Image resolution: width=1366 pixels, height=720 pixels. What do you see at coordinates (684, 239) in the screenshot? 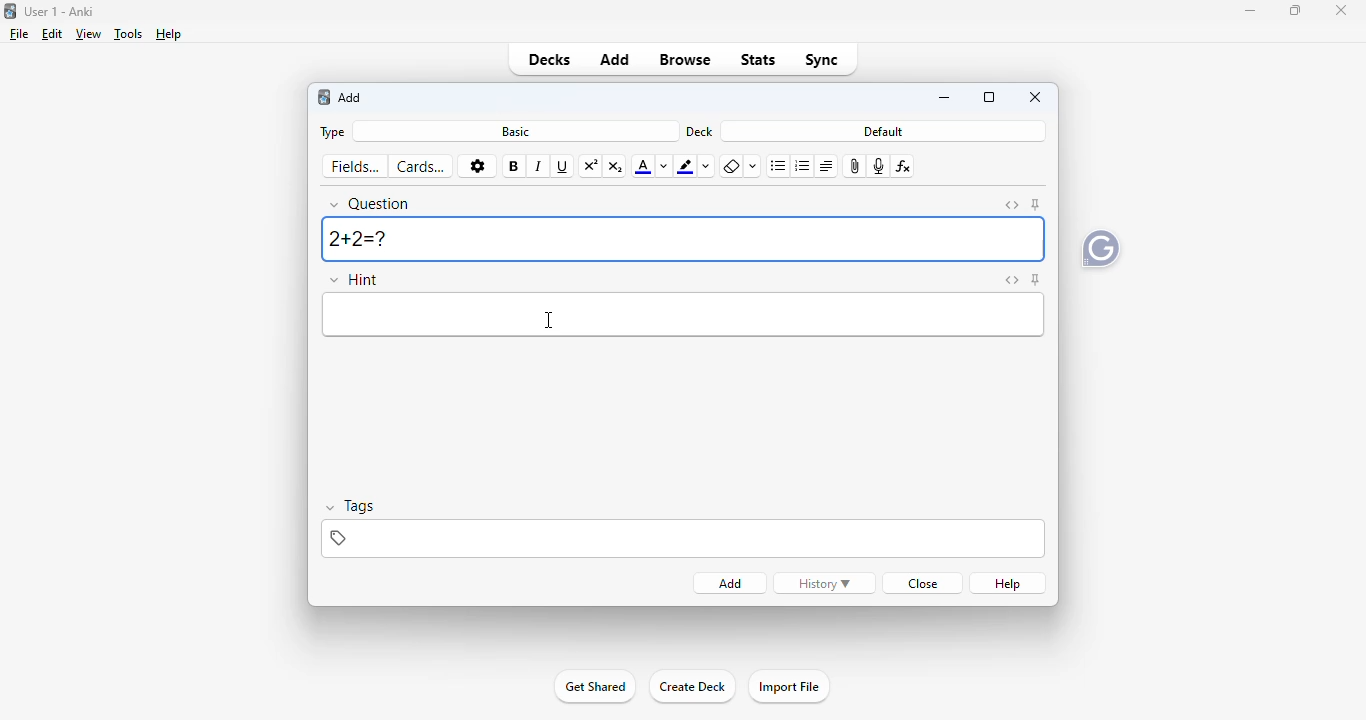
I see `2+2=?` at bounding box center [684, 239].